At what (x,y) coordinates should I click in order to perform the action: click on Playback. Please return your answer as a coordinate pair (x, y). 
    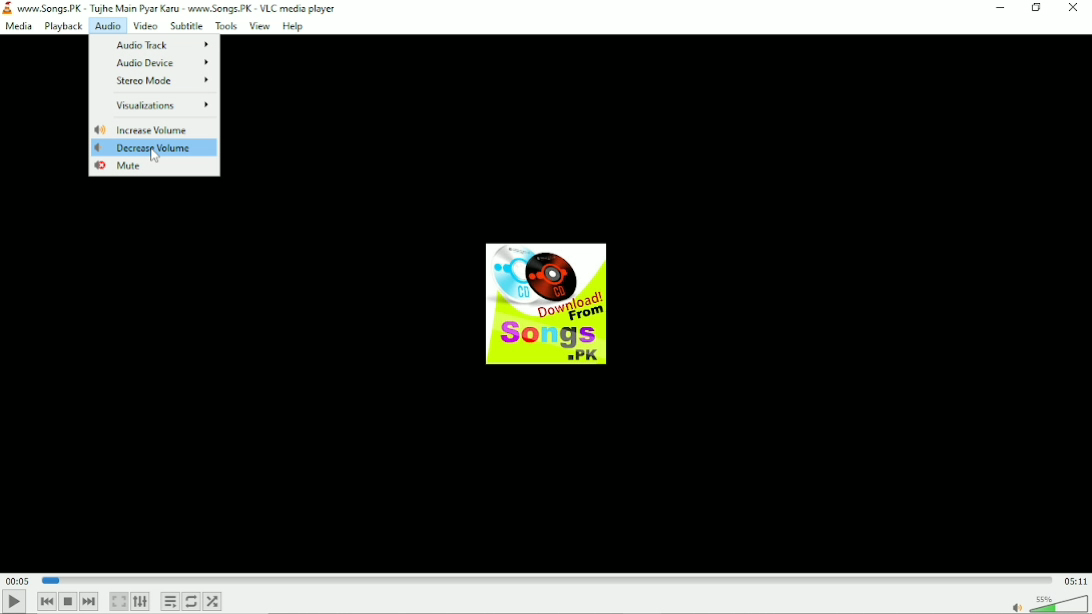
    Looking at the image, I should click on (61, 27).